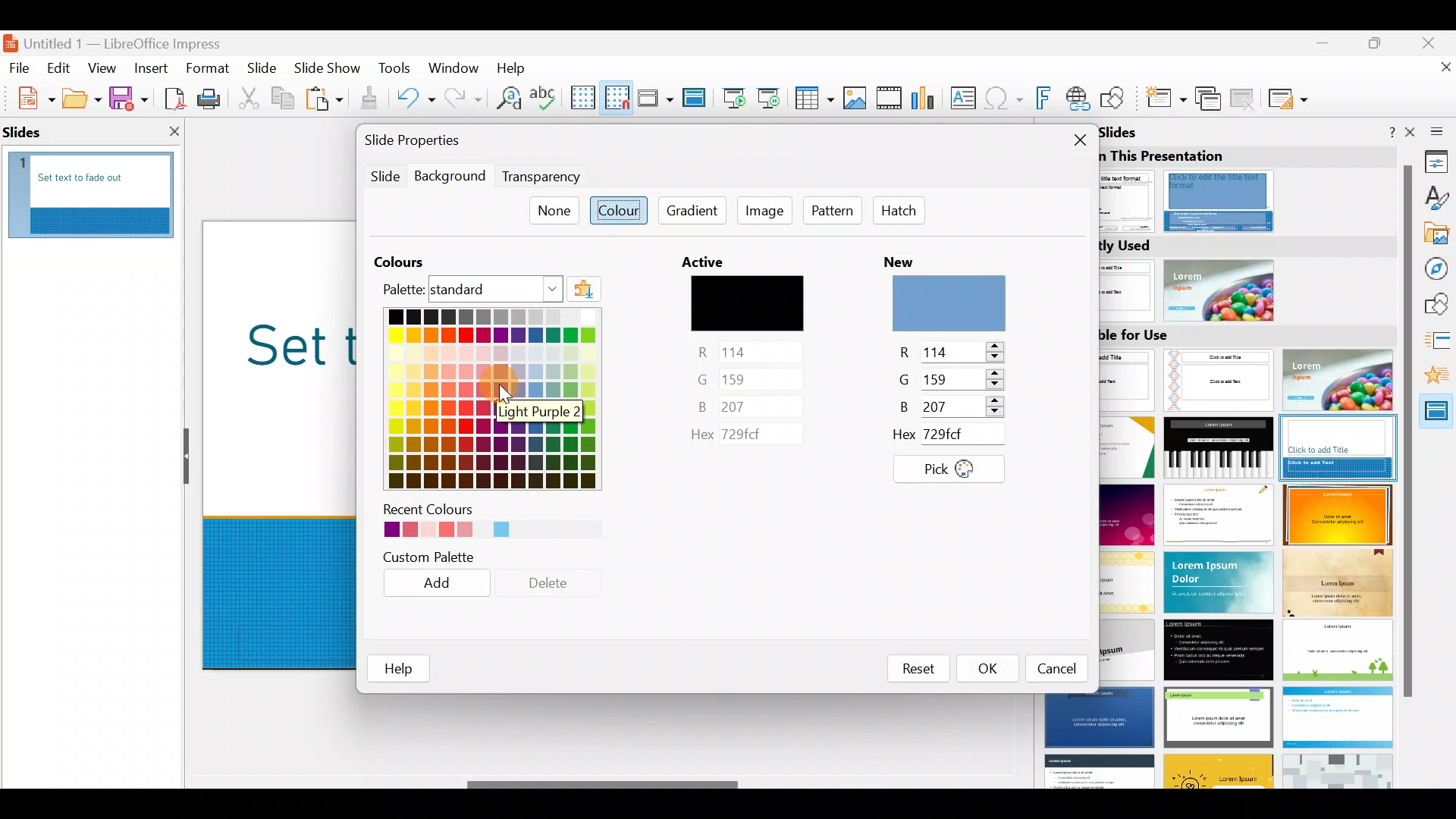 The height and width of the screenshot is (819, 1456). Describe the element at coordinates (1437, 200) in the screenshot. I see `Styles` at that location.